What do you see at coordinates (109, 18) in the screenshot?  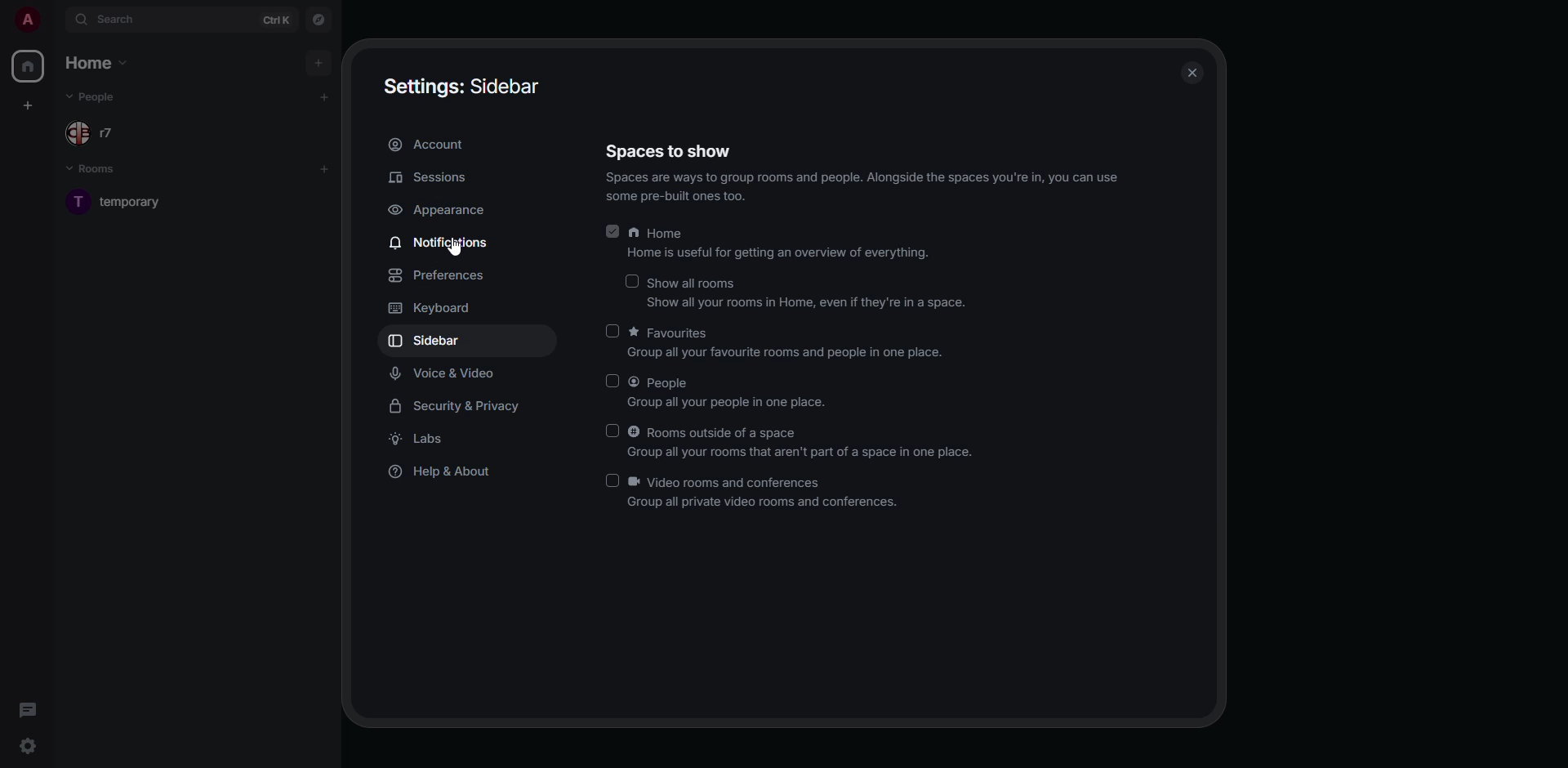 I see `search` at bounding box center [109, 18].